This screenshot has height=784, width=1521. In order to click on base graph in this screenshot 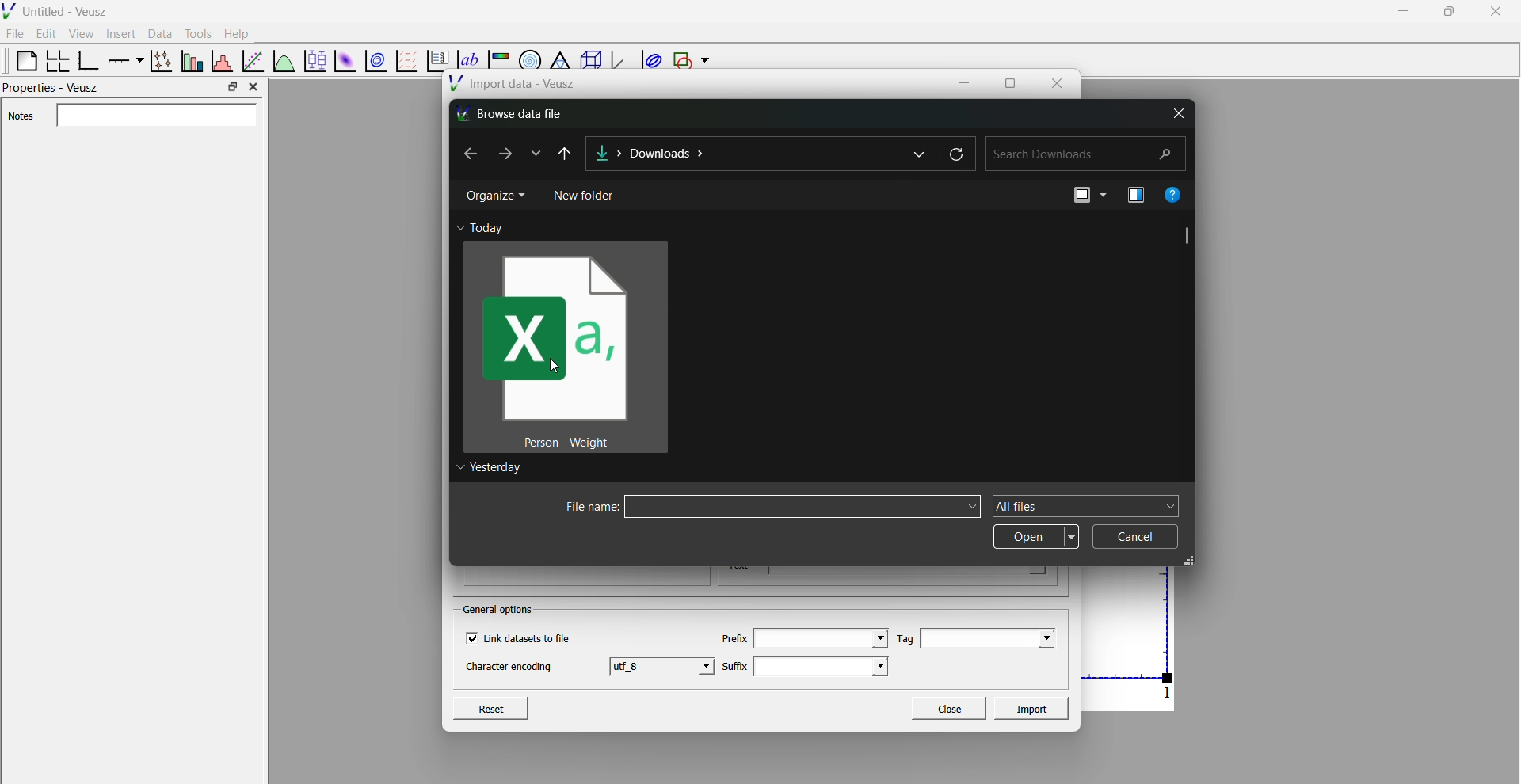, I will do `click(88, 61)`.